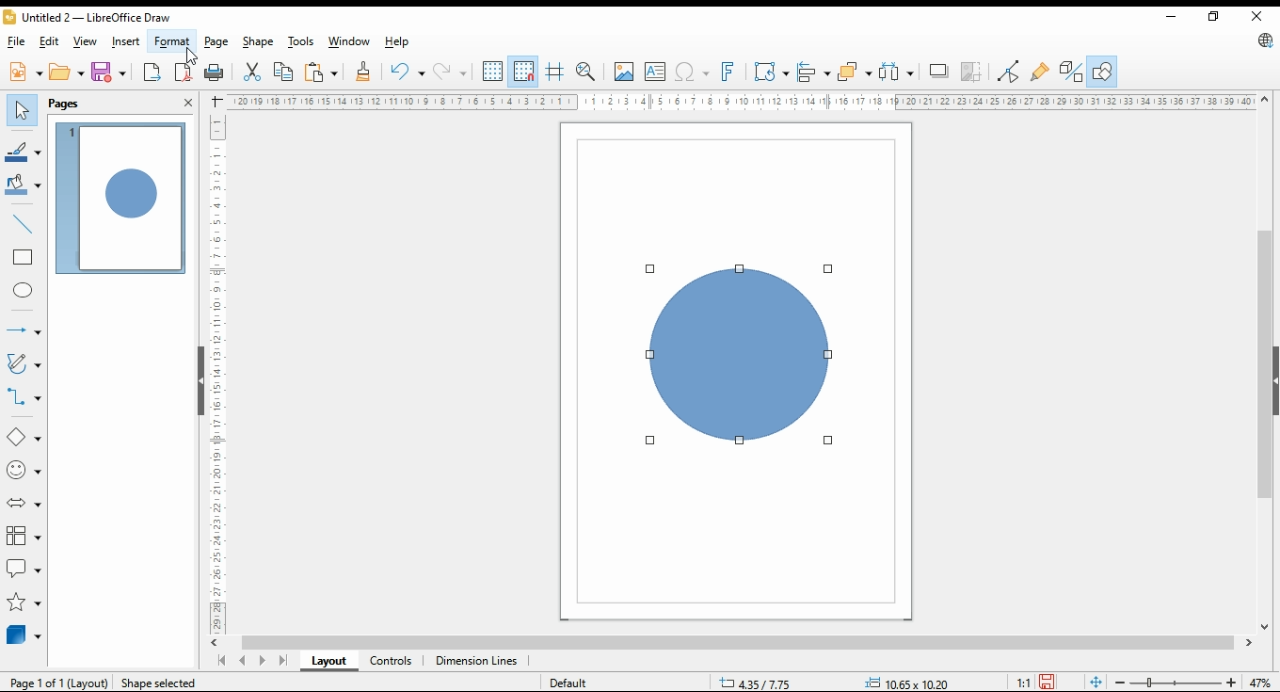  I want to click on rectangle, so click(23, 258).